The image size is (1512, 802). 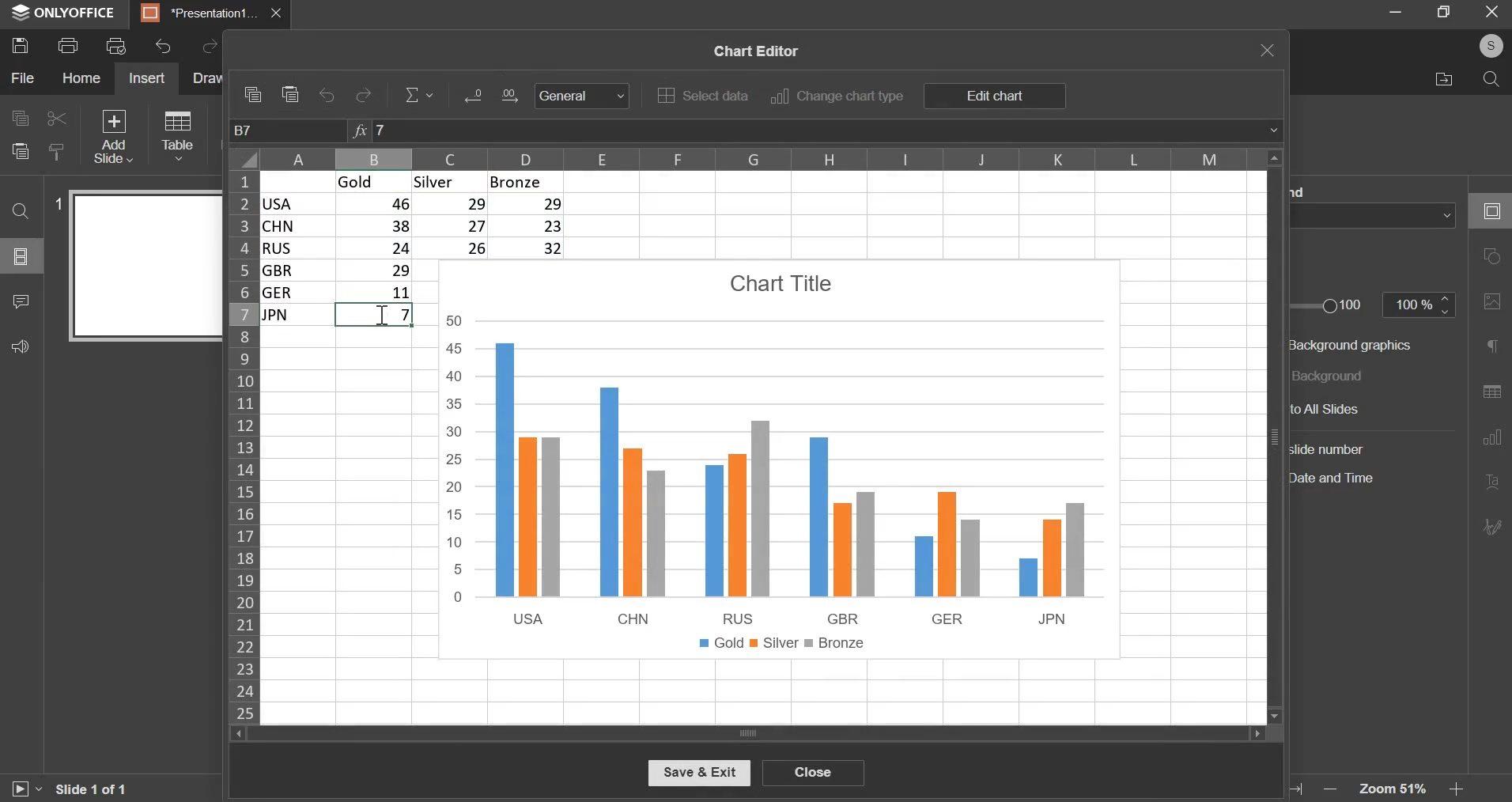 I want to click on search, so click(x=1492, y=79).